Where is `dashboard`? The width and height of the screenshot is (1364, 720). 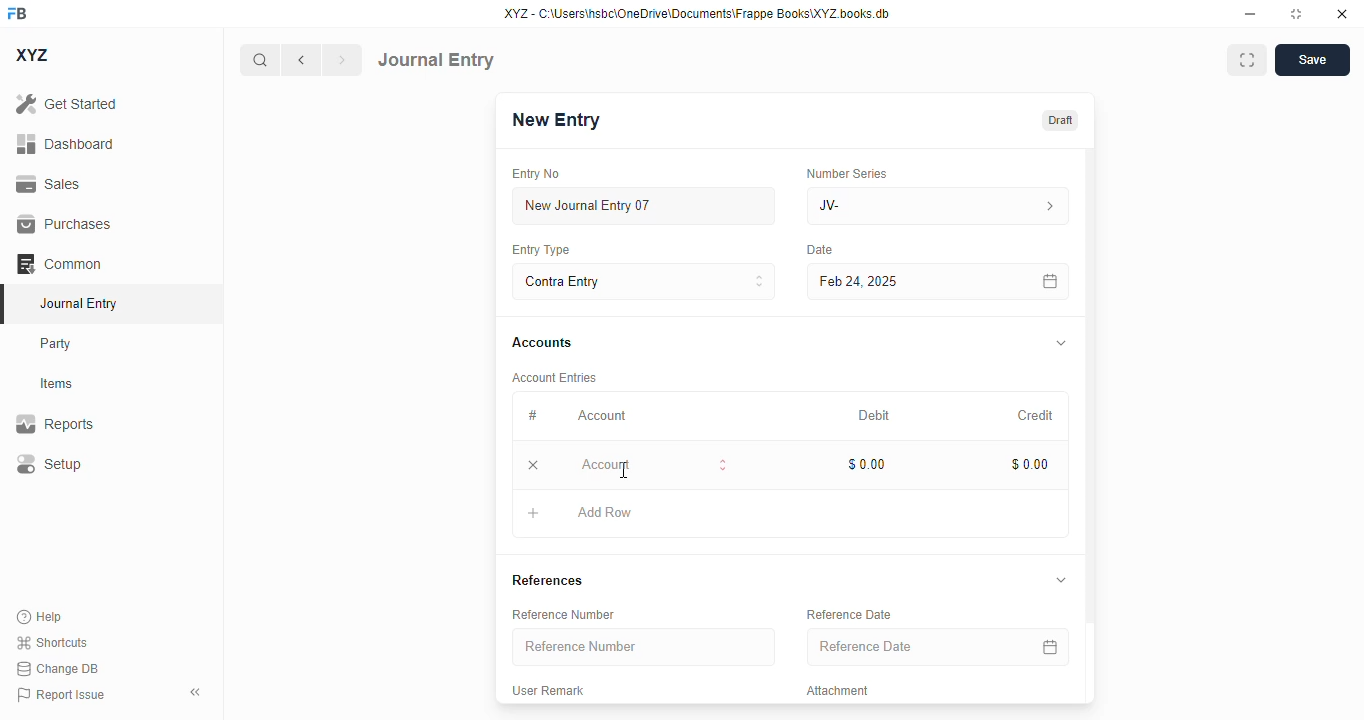 dashboard is located at coordinates (65, 143).